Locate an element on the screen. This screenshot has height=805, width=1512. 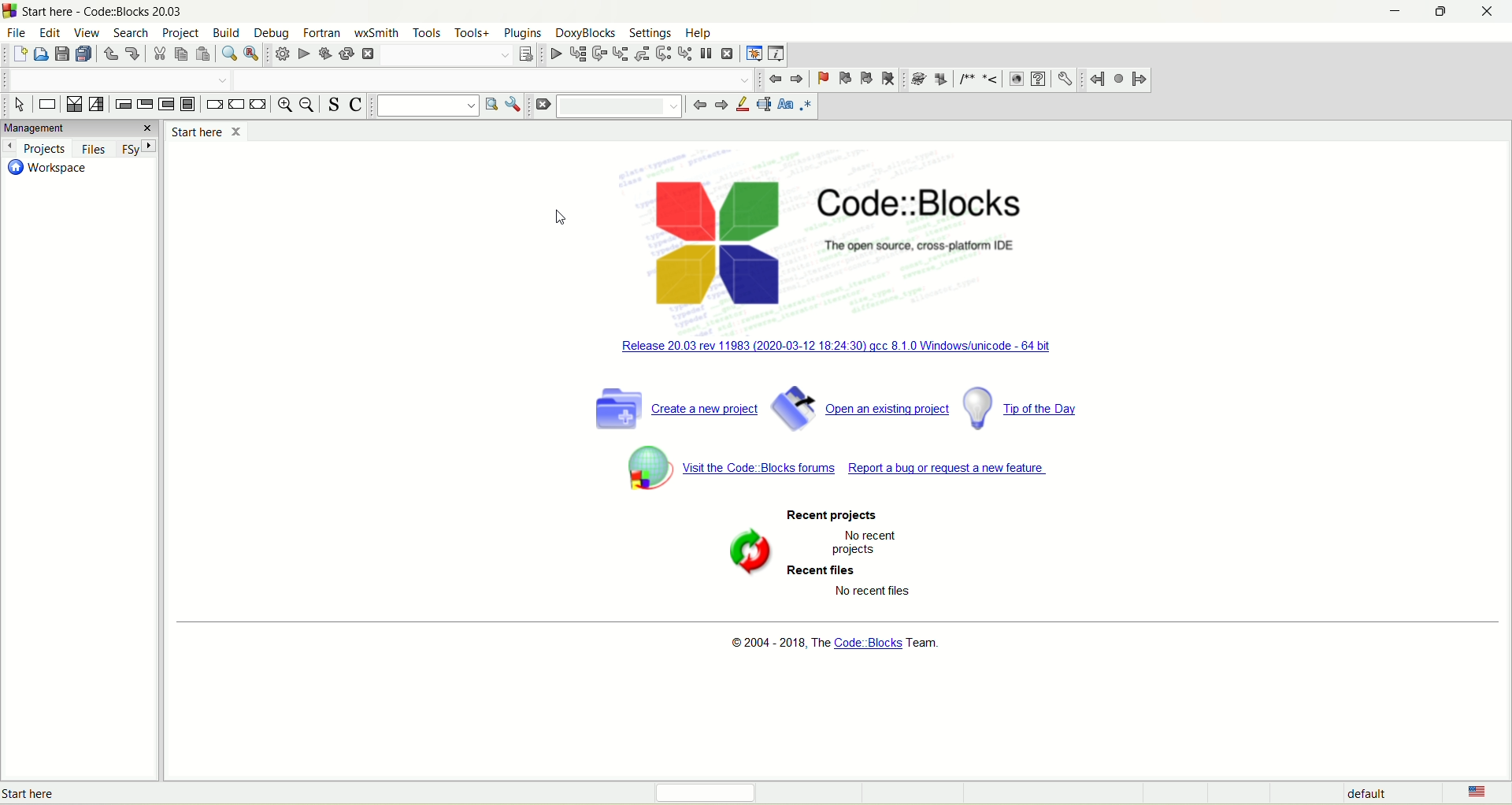
break instruction is located at coordinates (213, 103).